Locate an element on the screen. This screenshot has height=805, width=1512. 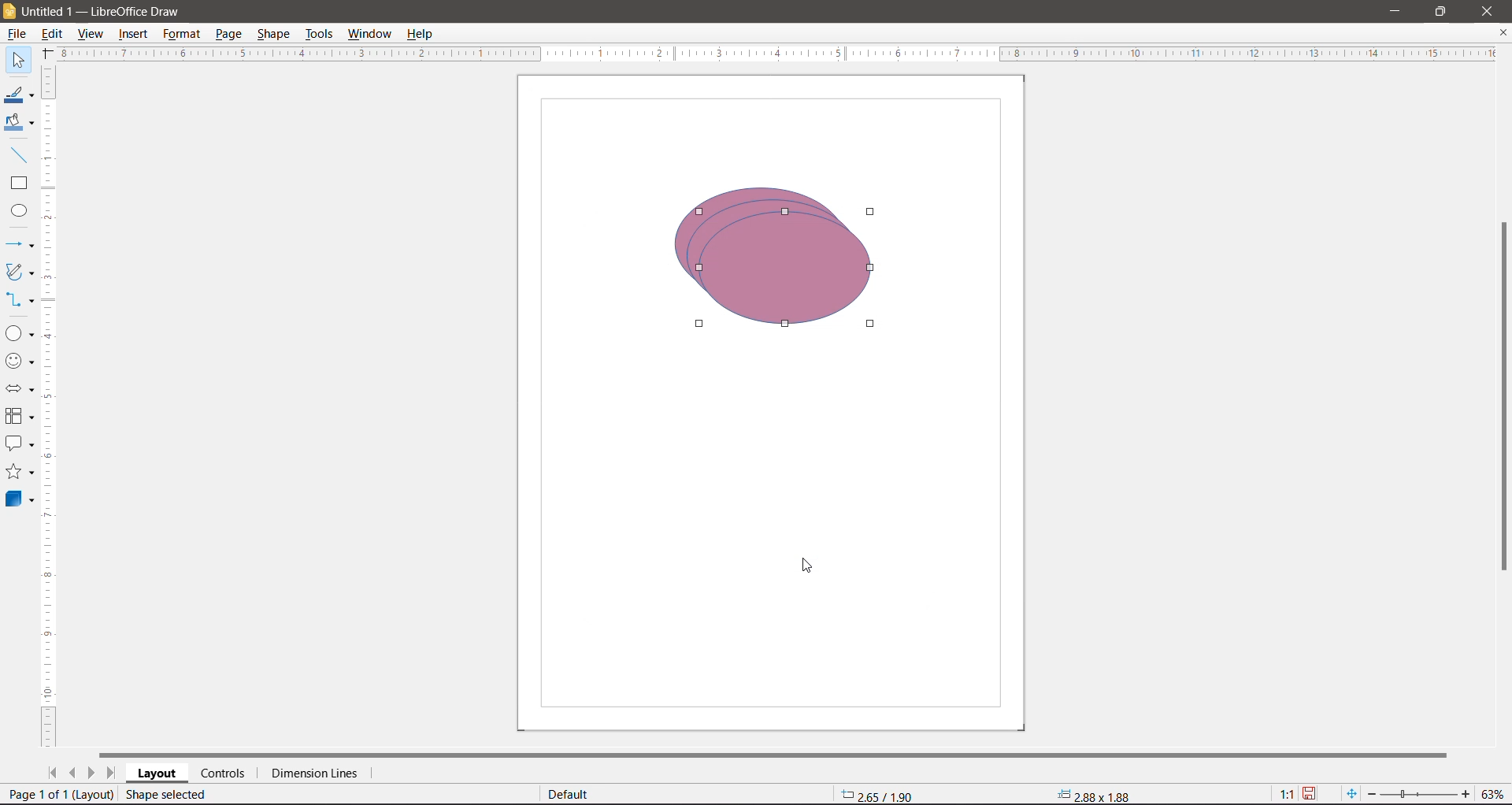
File is located at coordinates (15, 33).